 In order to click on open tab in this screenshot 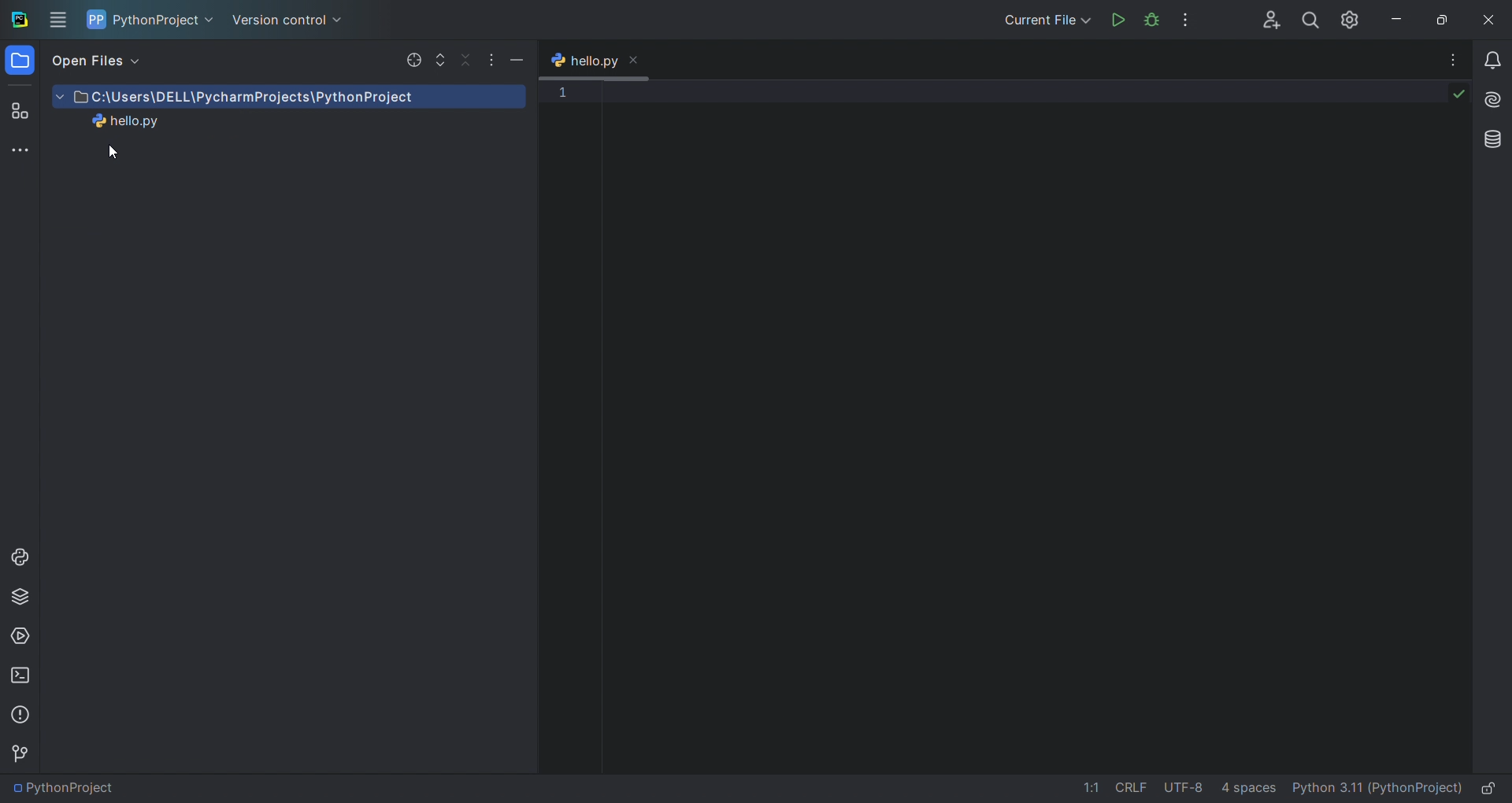, I will do `click(602, 60)`.